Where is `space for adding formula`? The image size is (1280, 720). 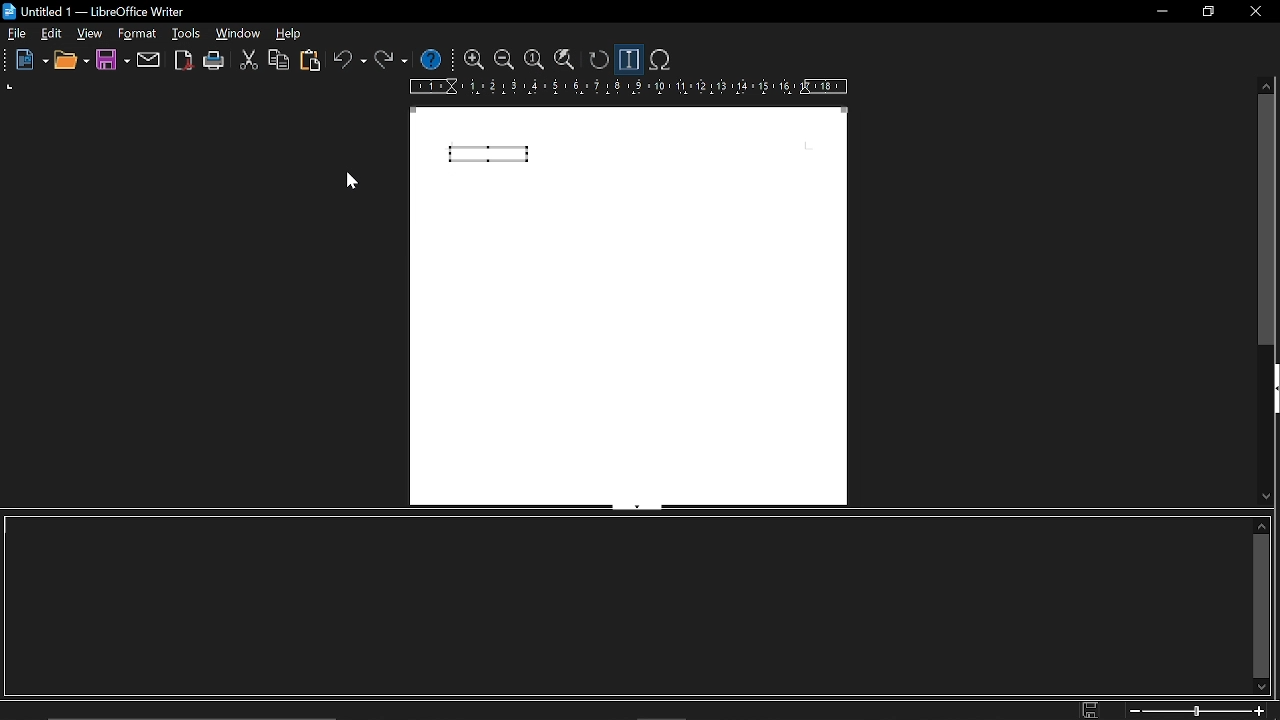
space for adding formula is located at coordinates (622, 606).